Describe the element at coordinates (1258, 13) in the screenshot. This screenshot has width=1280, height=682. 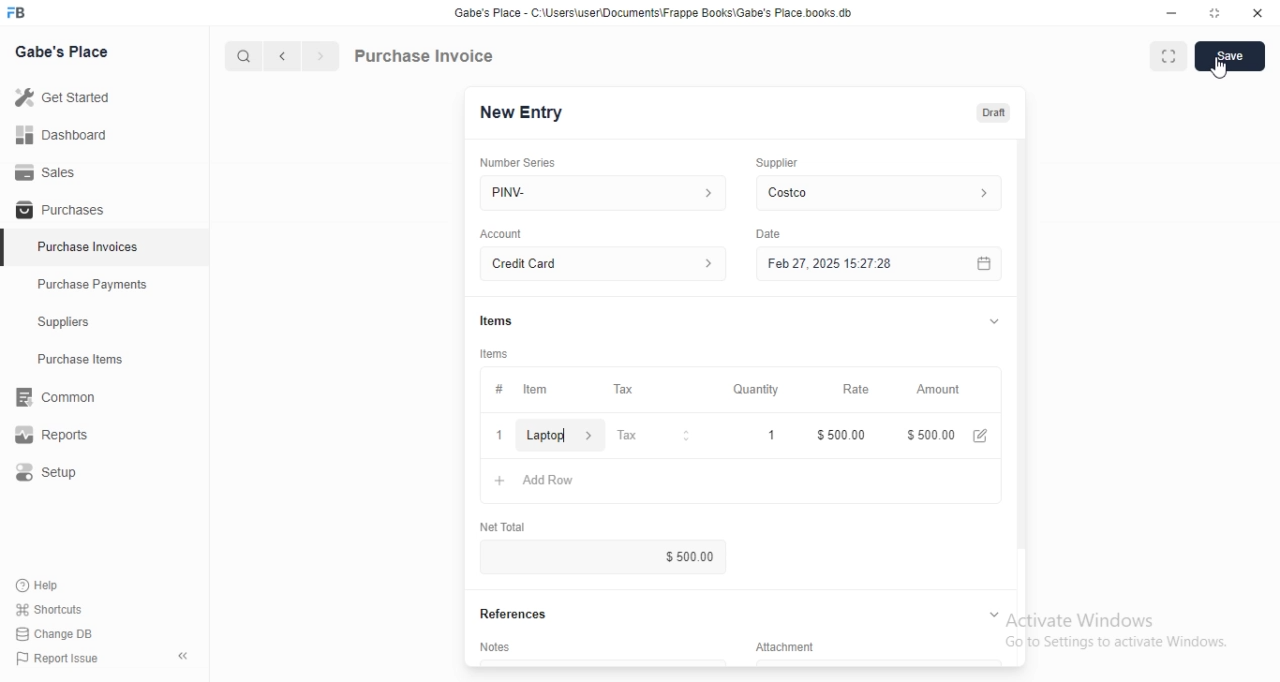
I see `Close` at that location.